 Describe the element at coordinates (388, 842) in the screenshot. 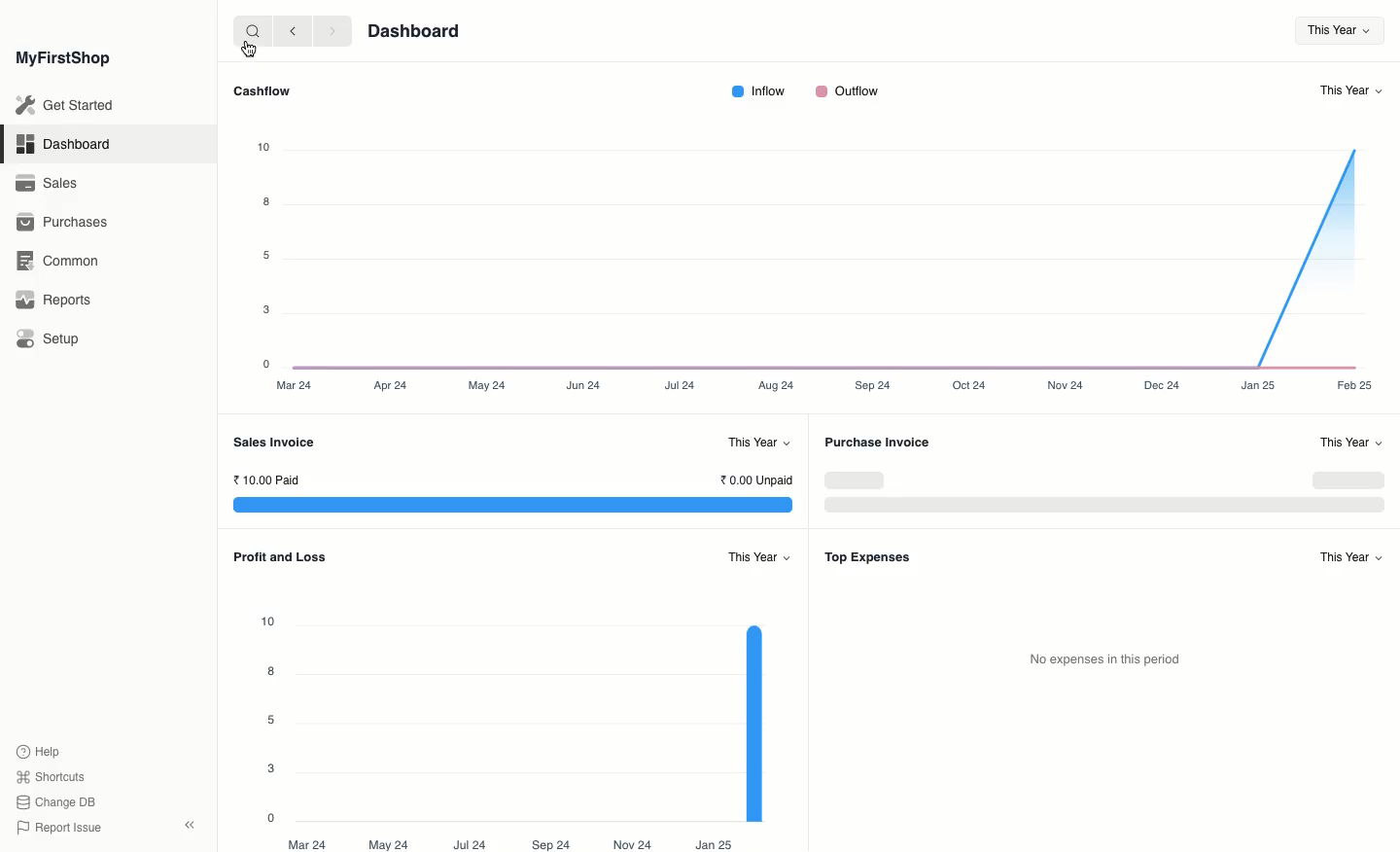

I see `May 24` at that location.